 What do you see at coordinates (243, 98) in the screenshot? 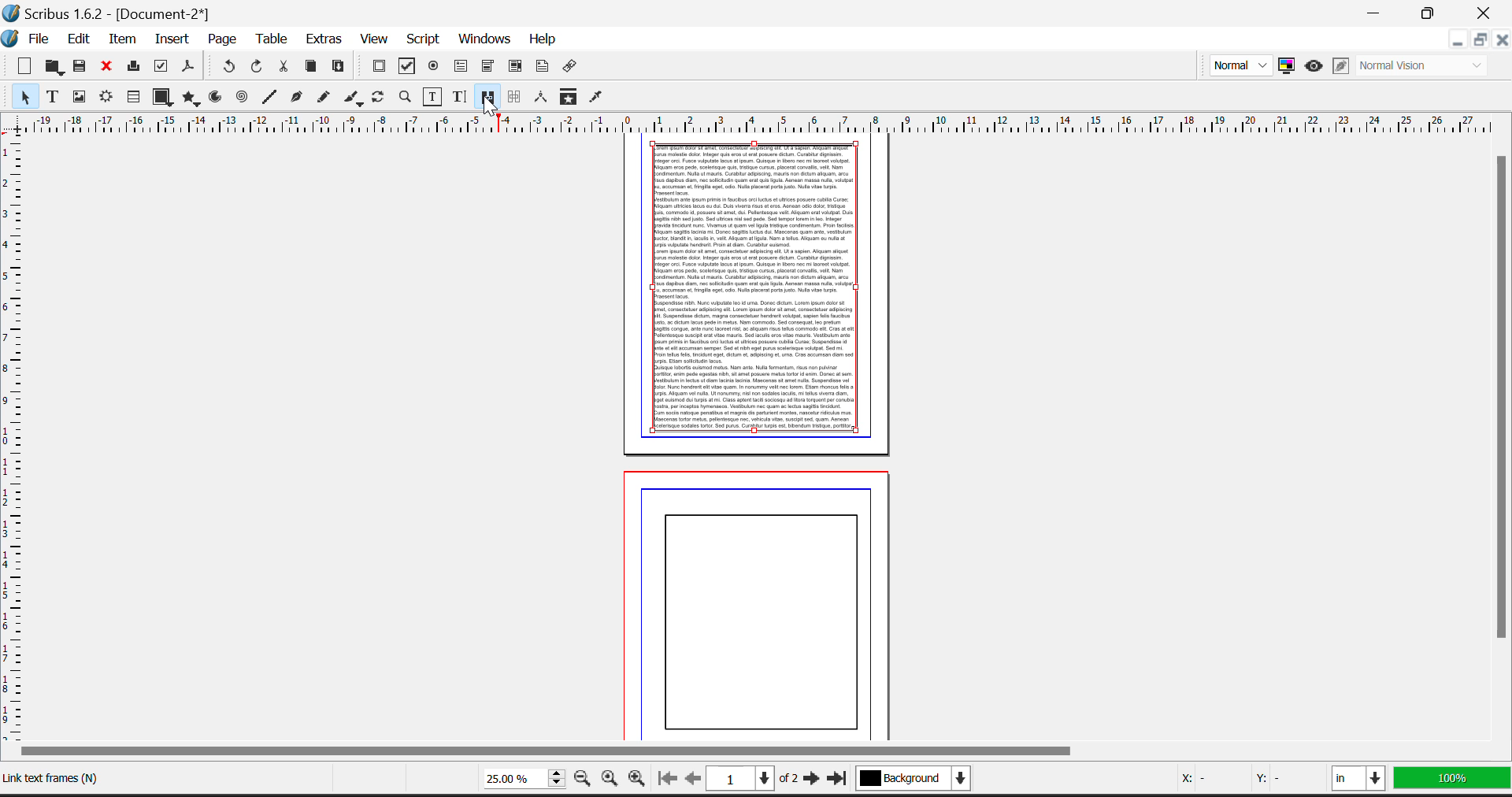
I see `Spiral` at bounding box center [243, 98].